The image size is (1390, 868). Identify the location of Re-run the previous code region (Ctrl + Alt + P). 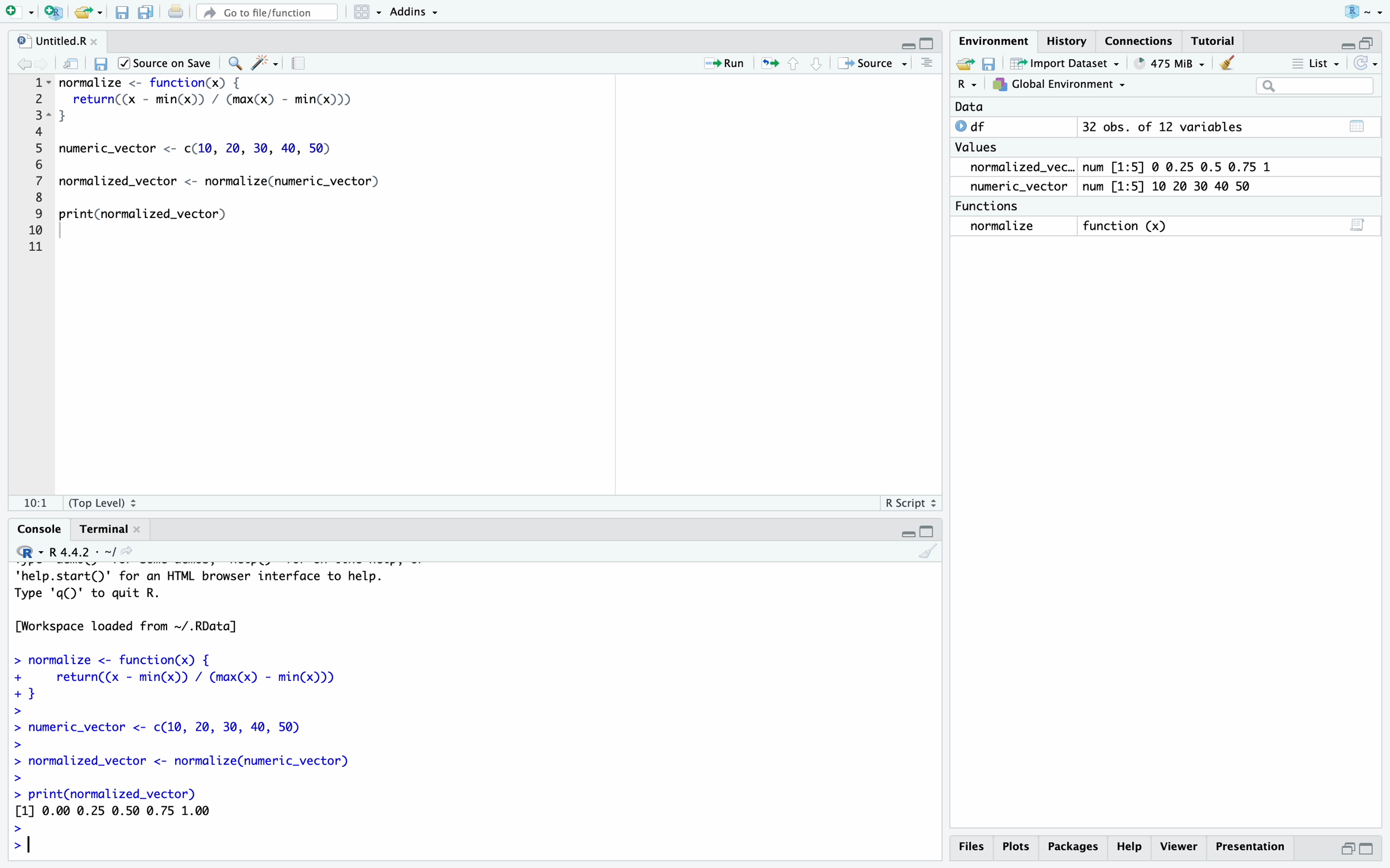
(770, 64).